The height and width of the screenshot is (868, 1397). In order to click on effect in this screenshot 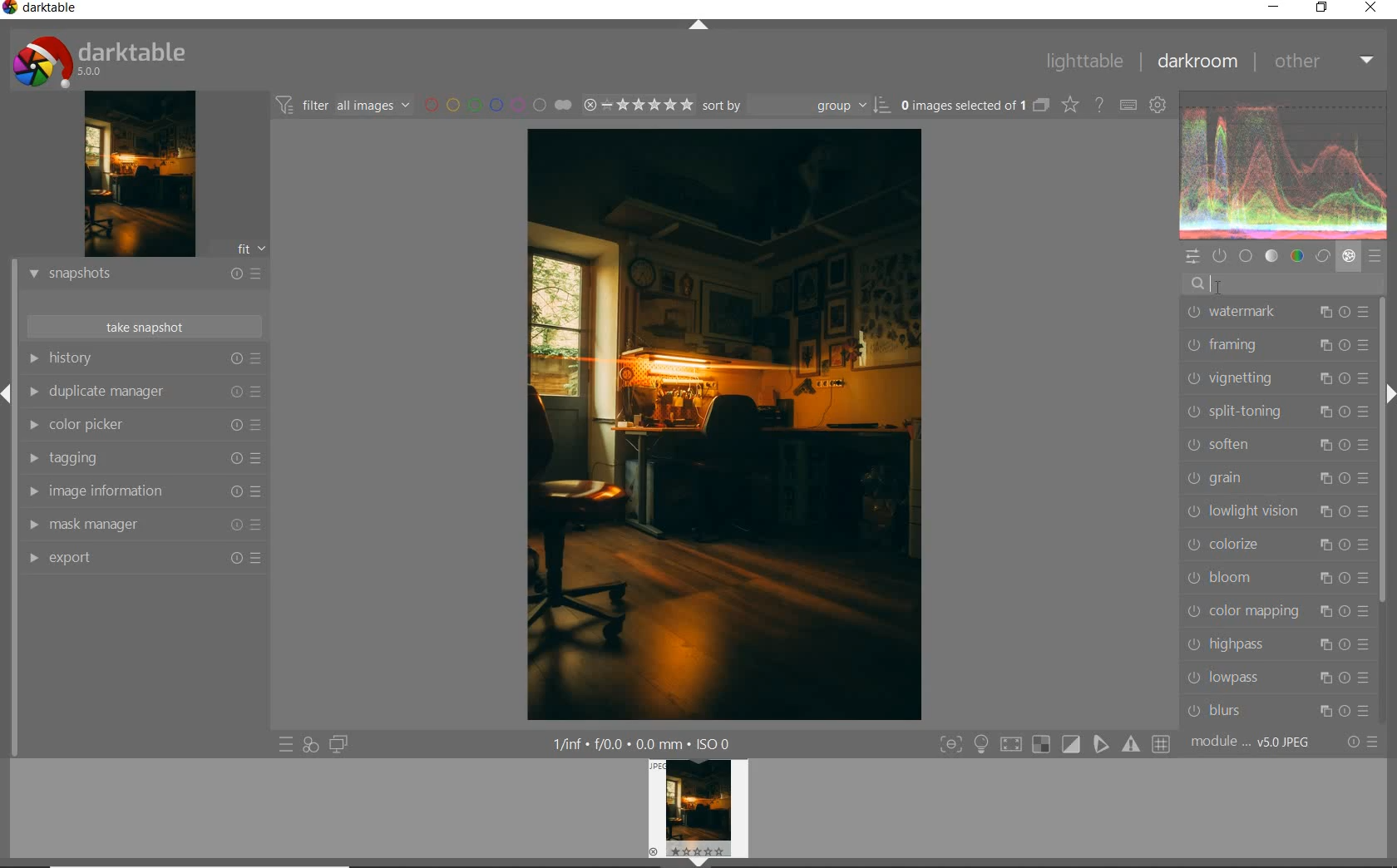, I will do `click(1350, 257)`.